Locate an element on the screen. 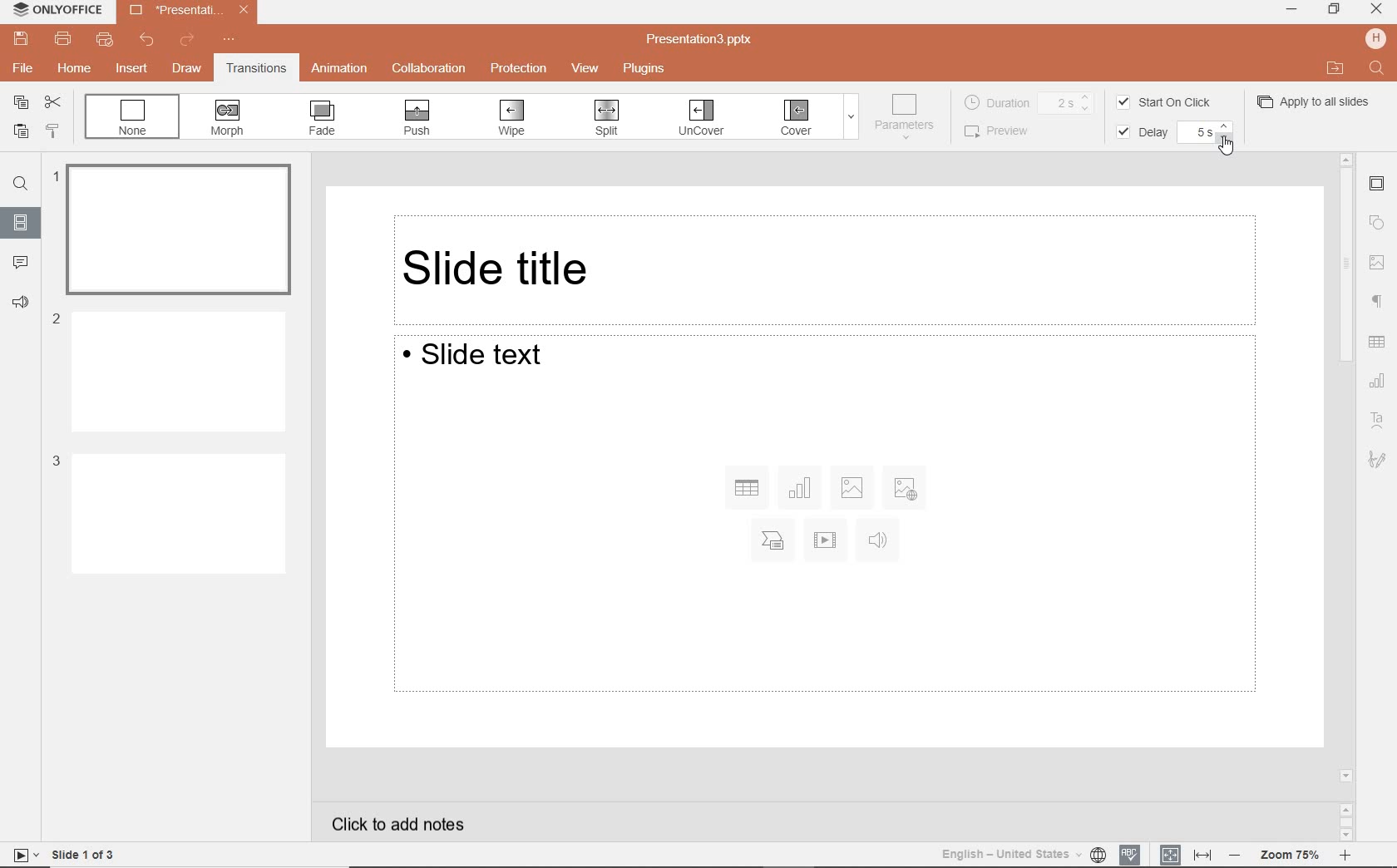  FADE is located at coordinates (323, 118).